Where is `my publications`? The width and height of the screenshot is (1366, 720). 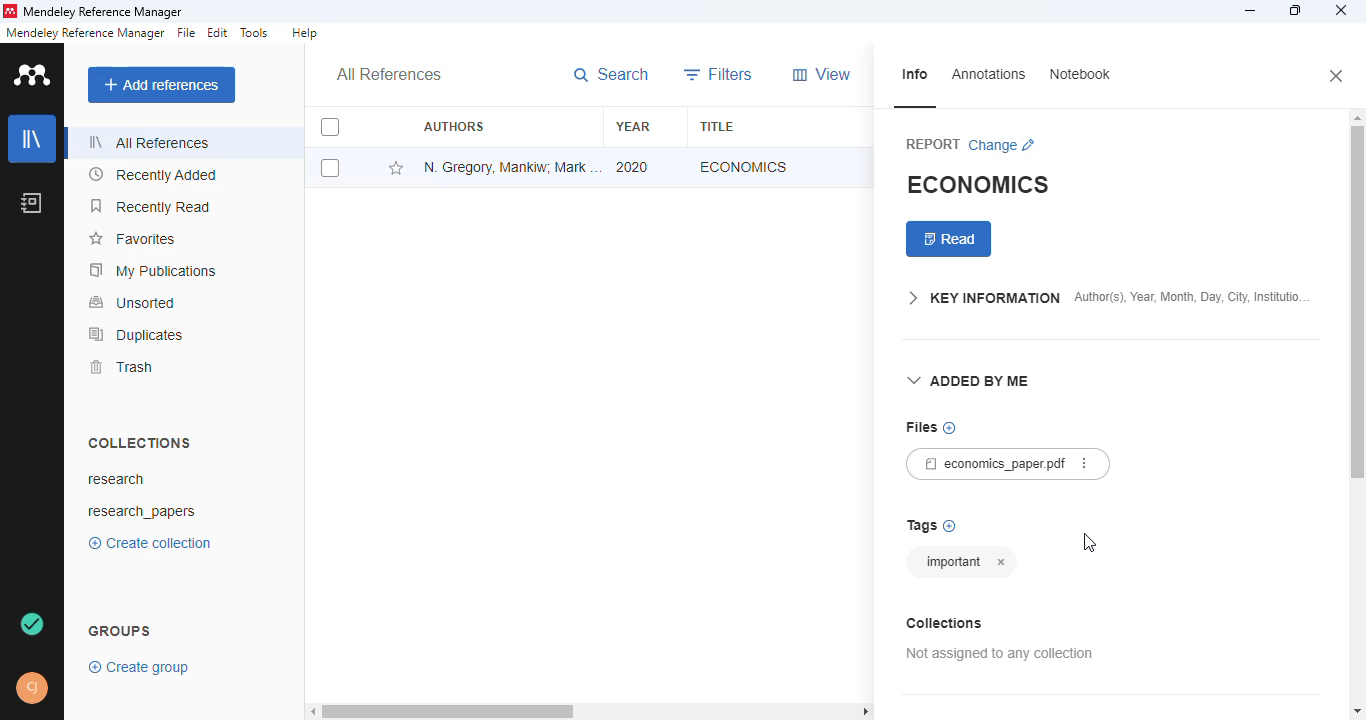 my publications is located at coordinates (153, 271).